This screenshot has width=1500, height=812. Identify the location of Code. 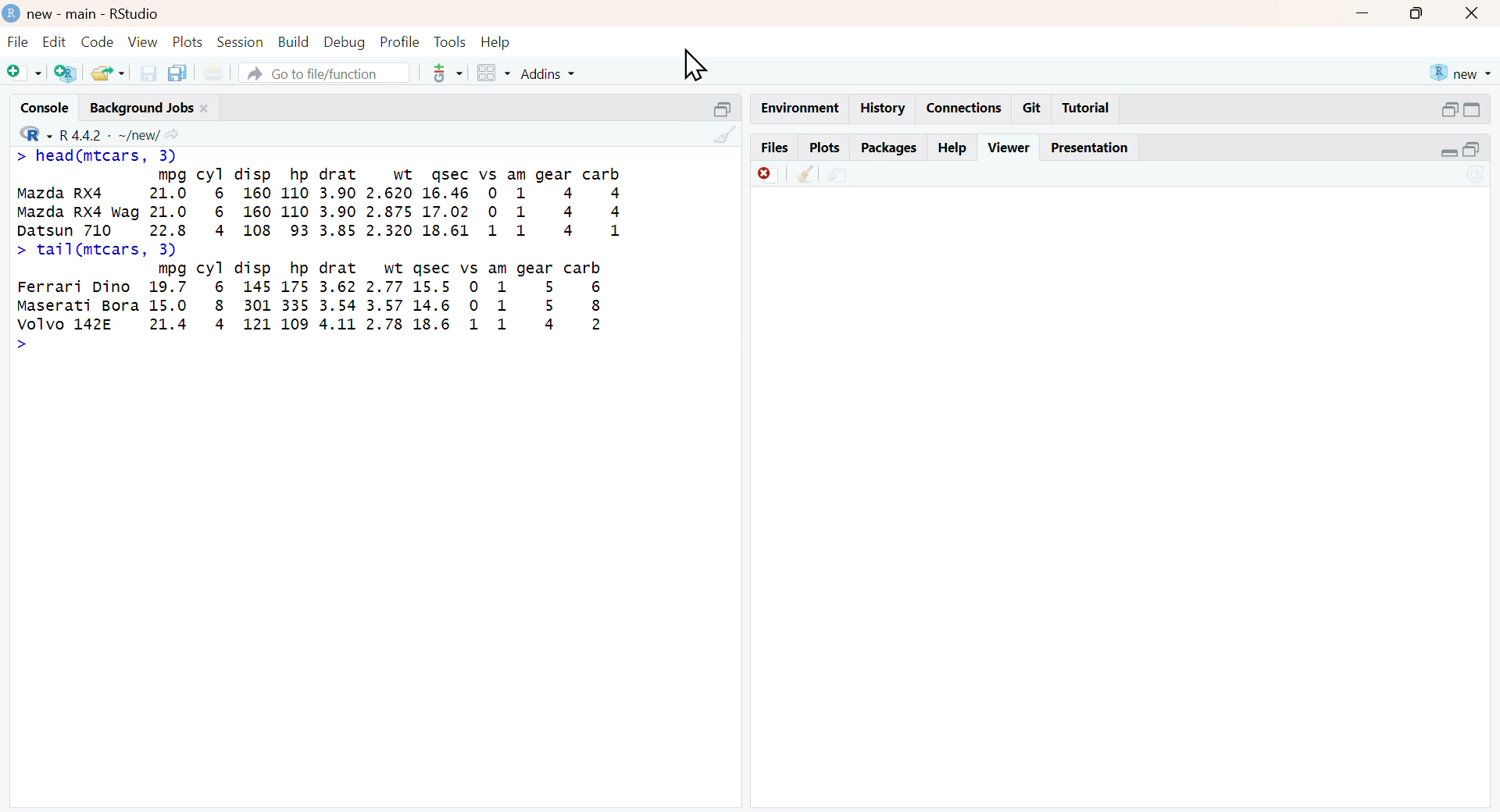
(95, 41).